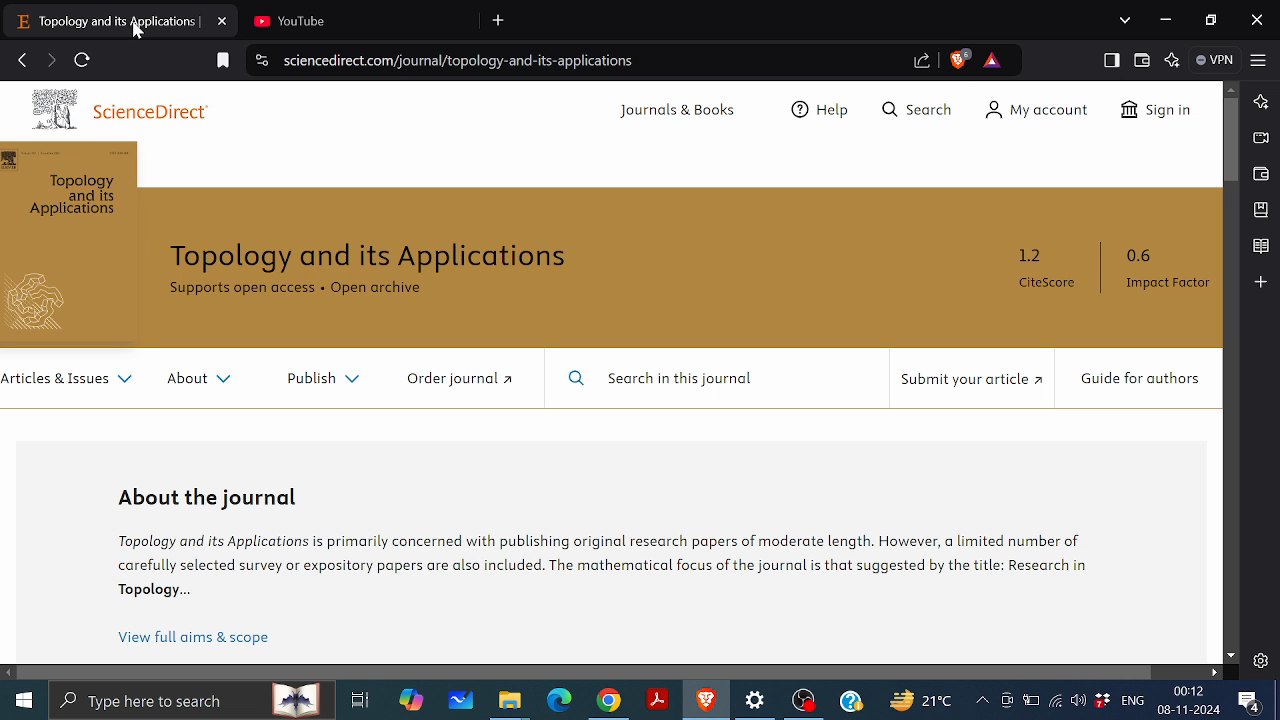  I want to click on Leo AI, so click(1174, 60).